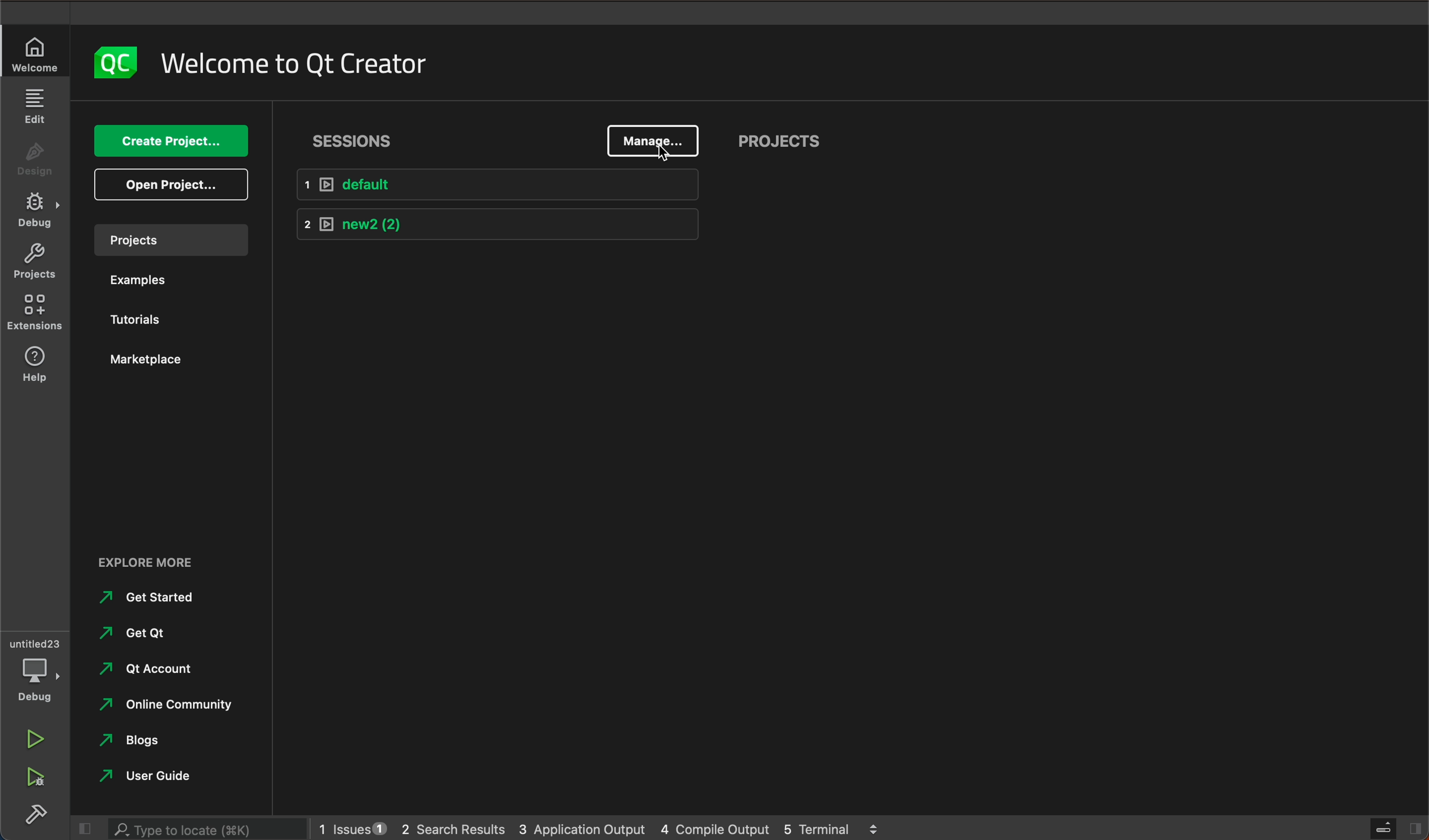  I want to click on close slide bar, so click(1390, 828).